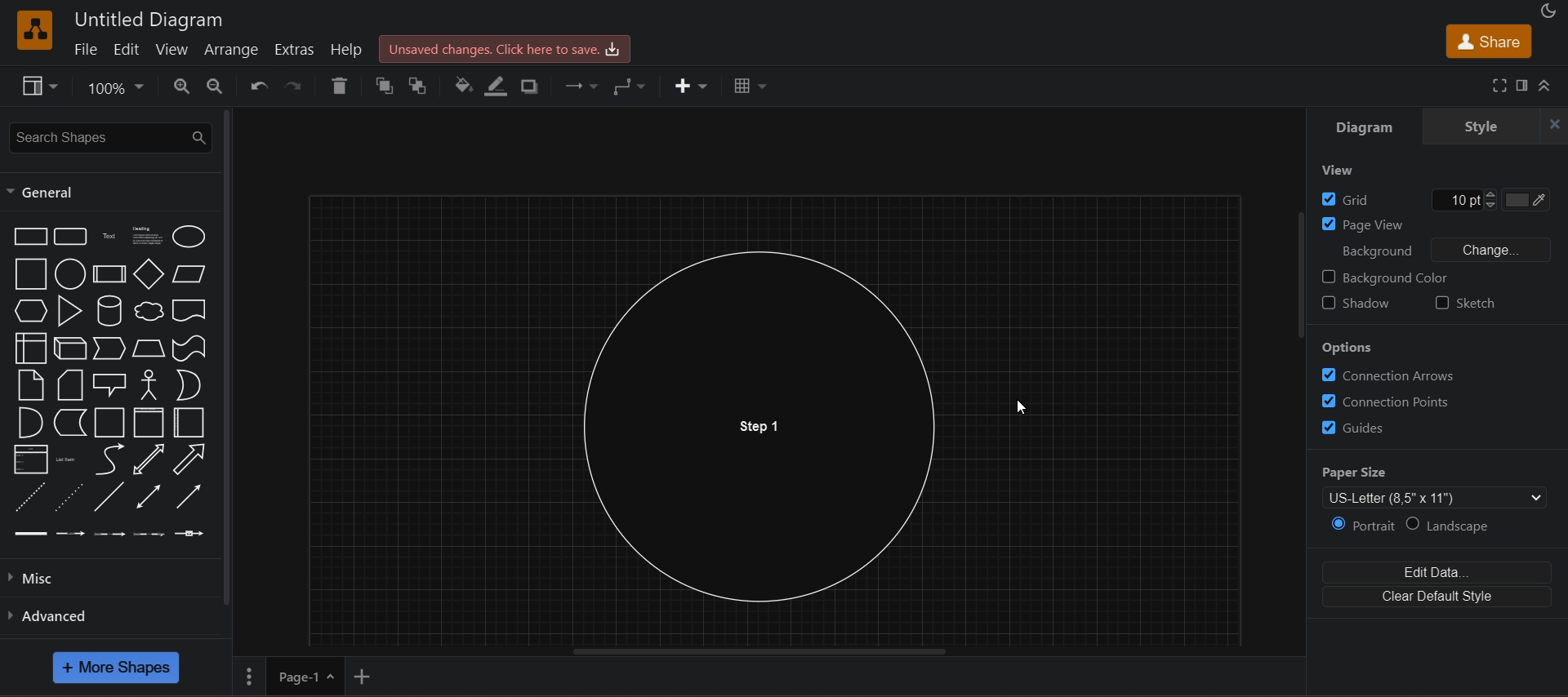 Image resolution: width=1568 pixels, height=697 pixels. What do you see at coordinates (72, 237) in the screenshot?
I see `rounded rectangle` at bounding box center [72, 237].